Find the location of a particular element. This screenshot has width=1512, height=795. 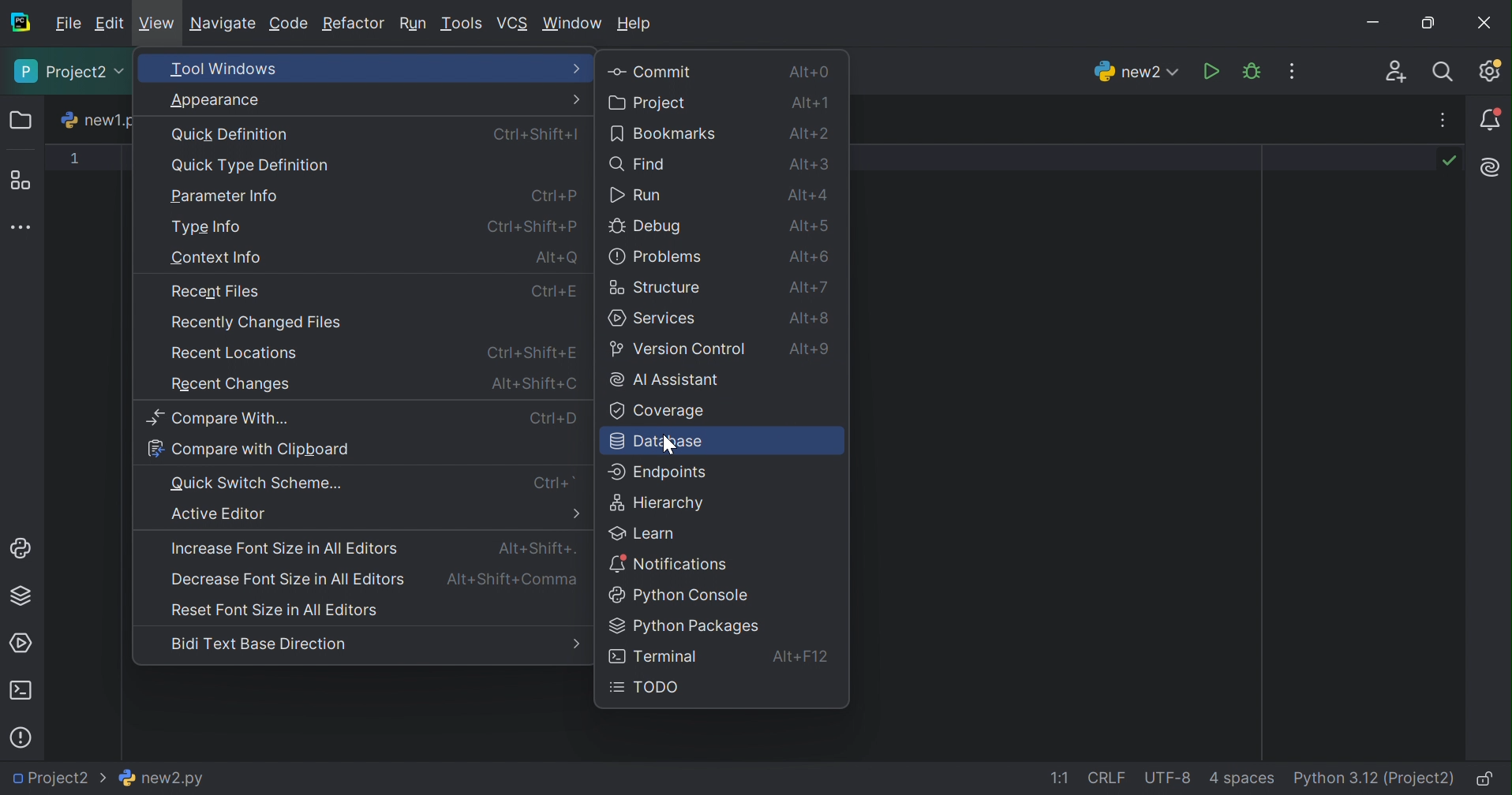

Context info is located at coordinates (218, 256).